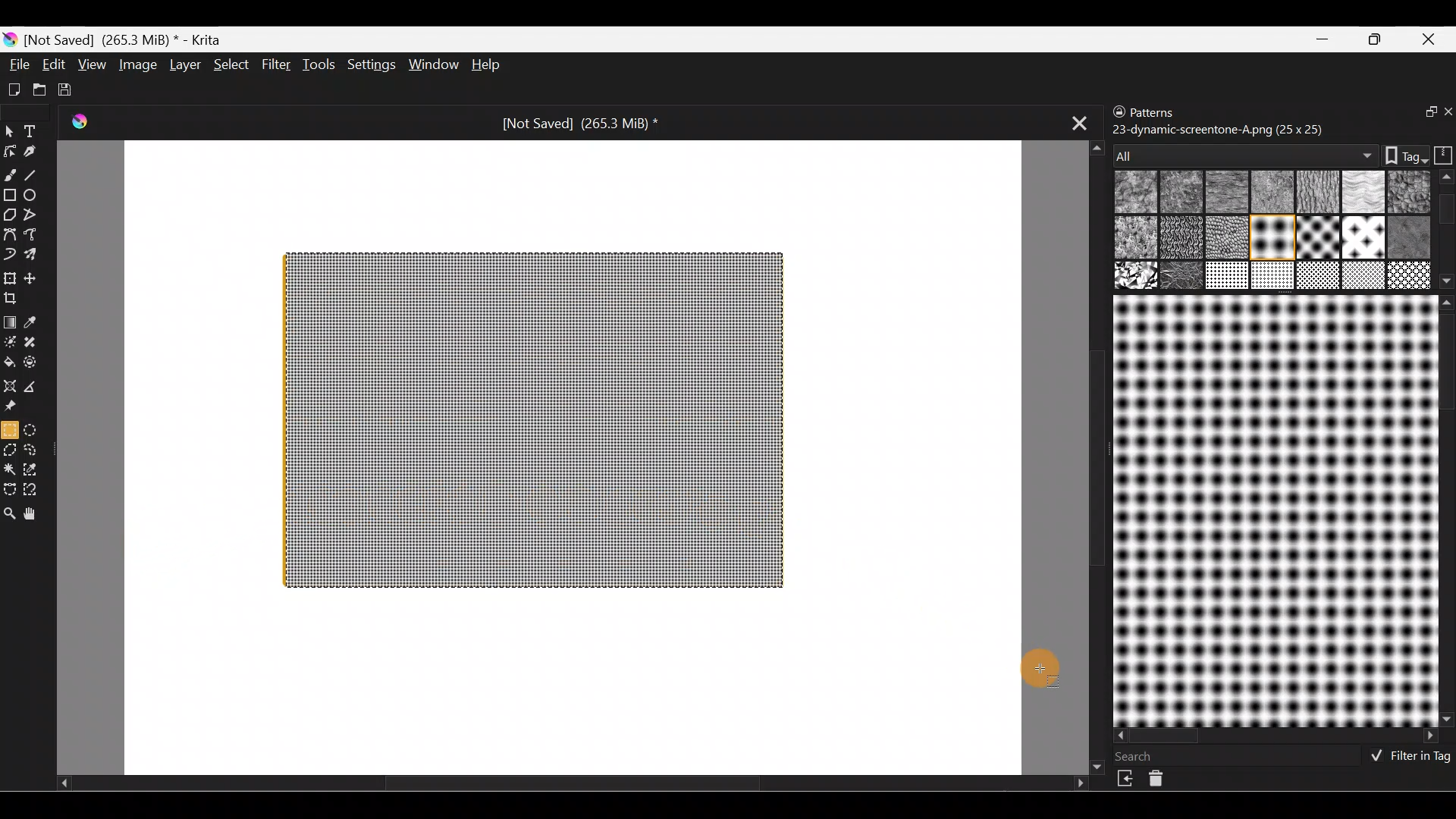 This screenshot has width=1456, height=819. What do you see at coordinates (1441, 154) in the screenshot?
I see `Storage resources` at bounding box center [1441, 154].